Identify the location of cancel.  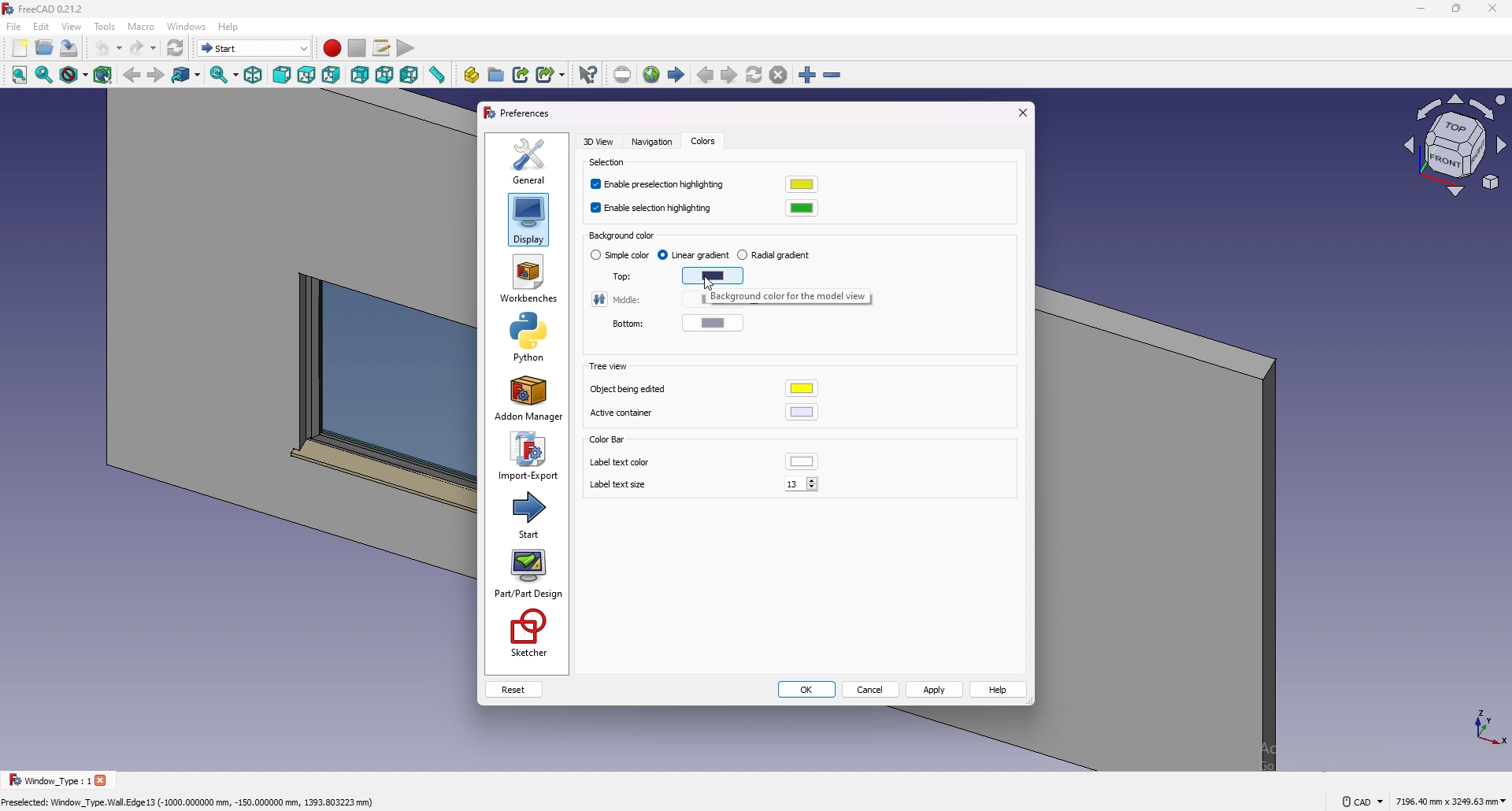
(872, 691).